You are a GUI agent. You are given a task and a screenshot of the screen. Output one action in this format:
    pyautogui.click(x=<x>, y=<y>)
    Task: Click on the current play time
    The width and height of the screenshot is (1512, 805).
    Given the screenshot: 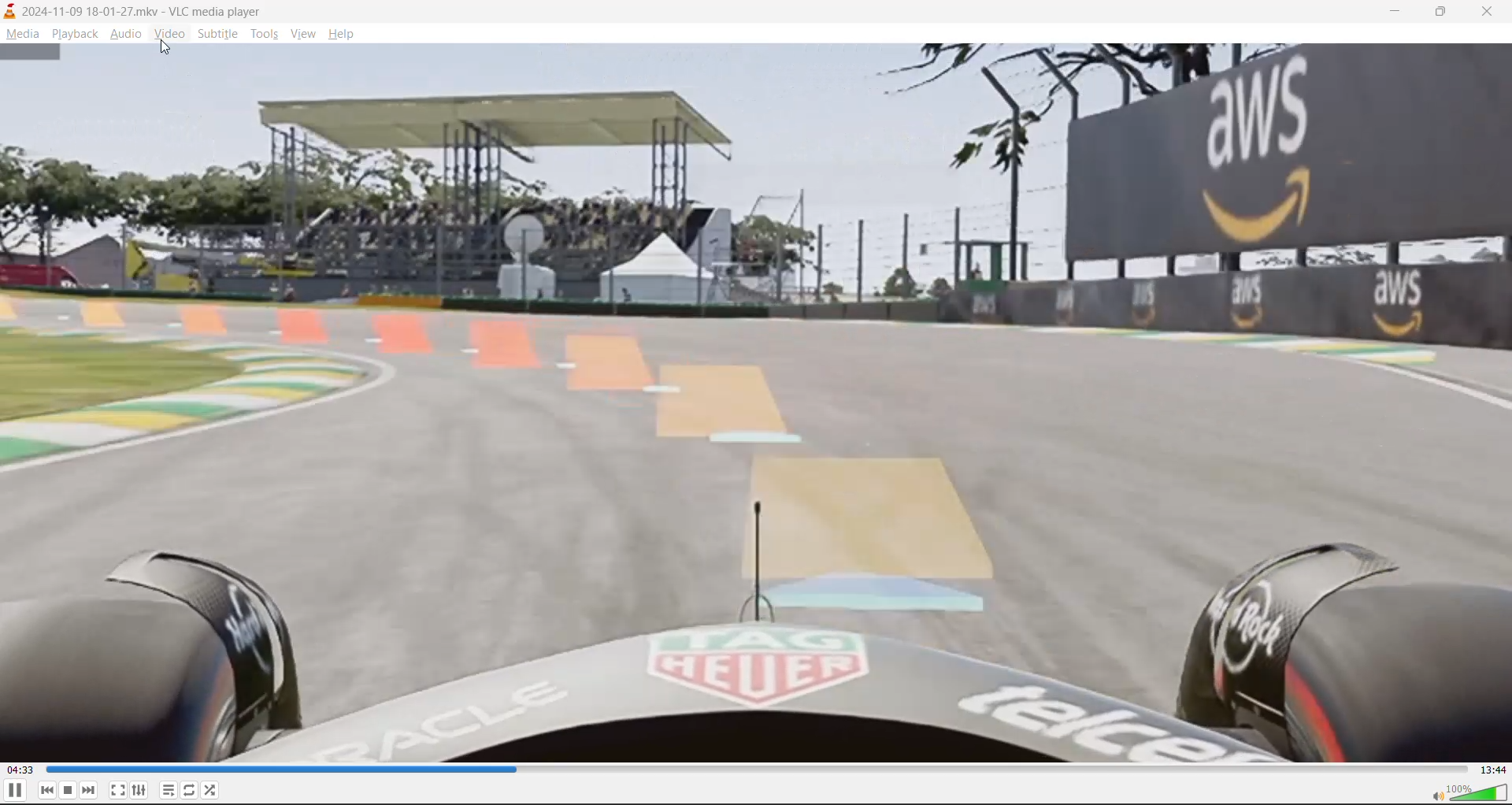 What is the action you would take?
    pyautogui.click(x=21, y=769)
    